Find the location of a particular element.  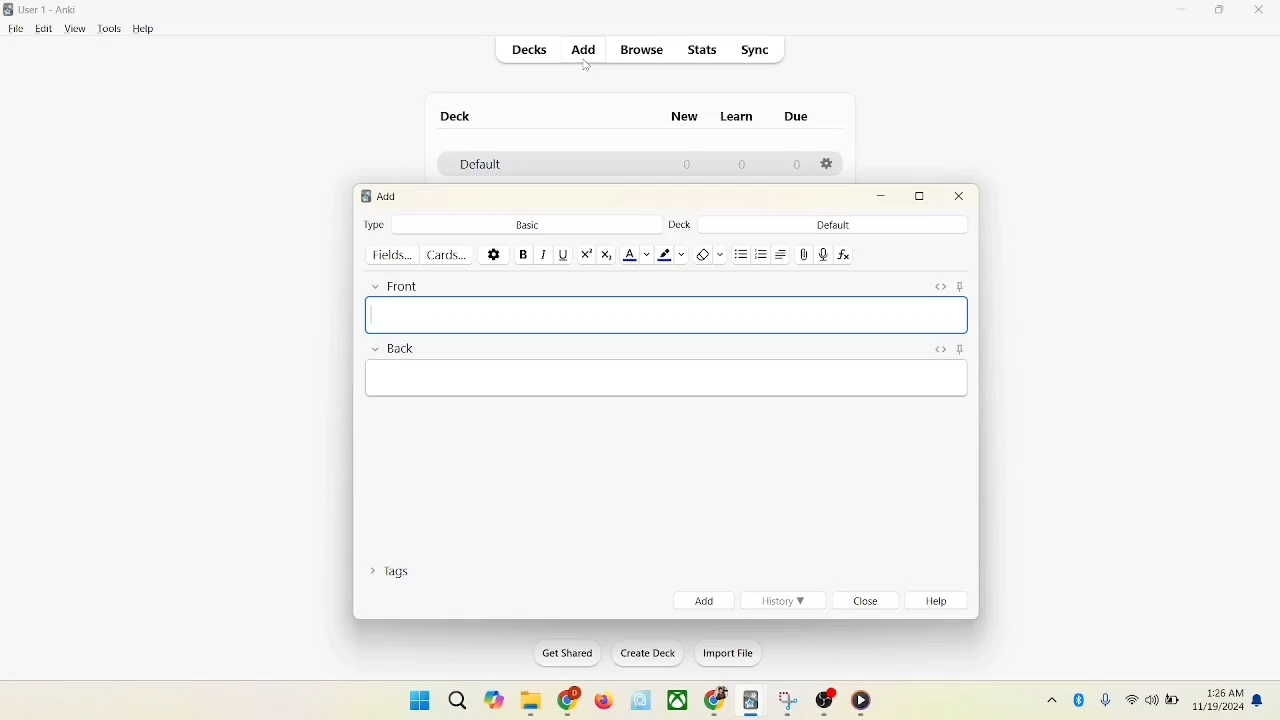

blank space is located at coordinates (664, 379).